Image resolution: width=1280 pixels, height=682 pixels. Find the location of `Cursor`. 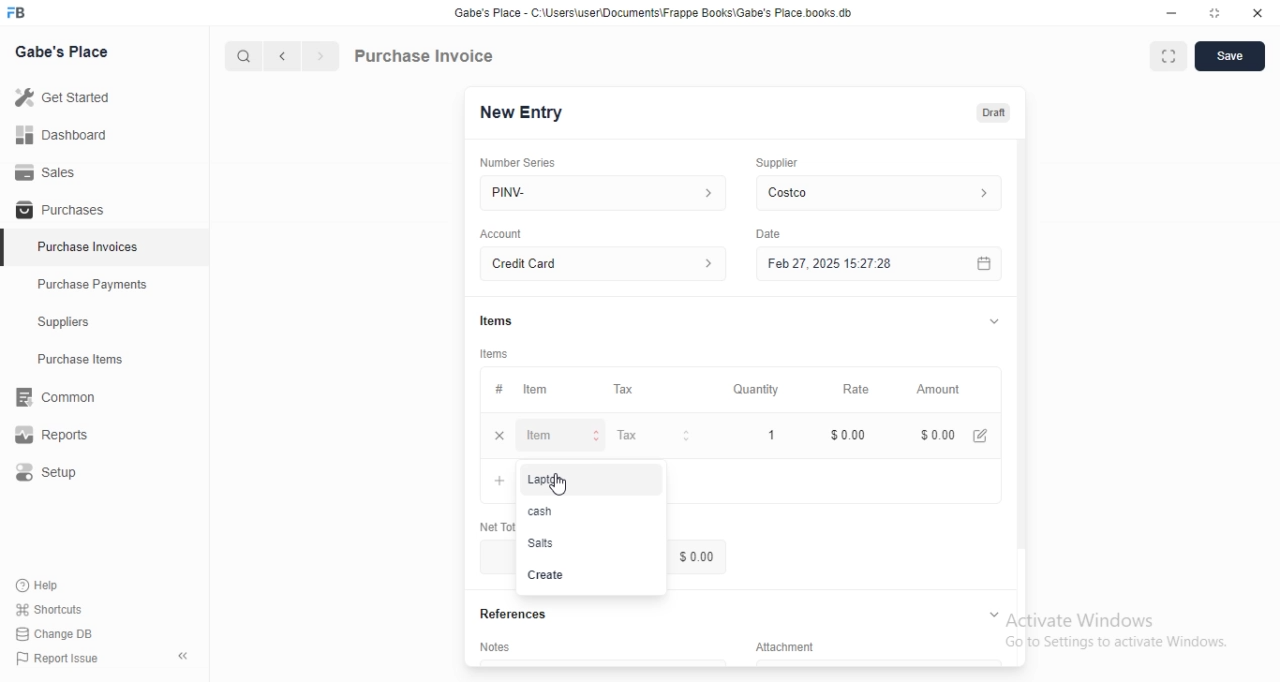

Cursor is located at coordinates (558, 484).